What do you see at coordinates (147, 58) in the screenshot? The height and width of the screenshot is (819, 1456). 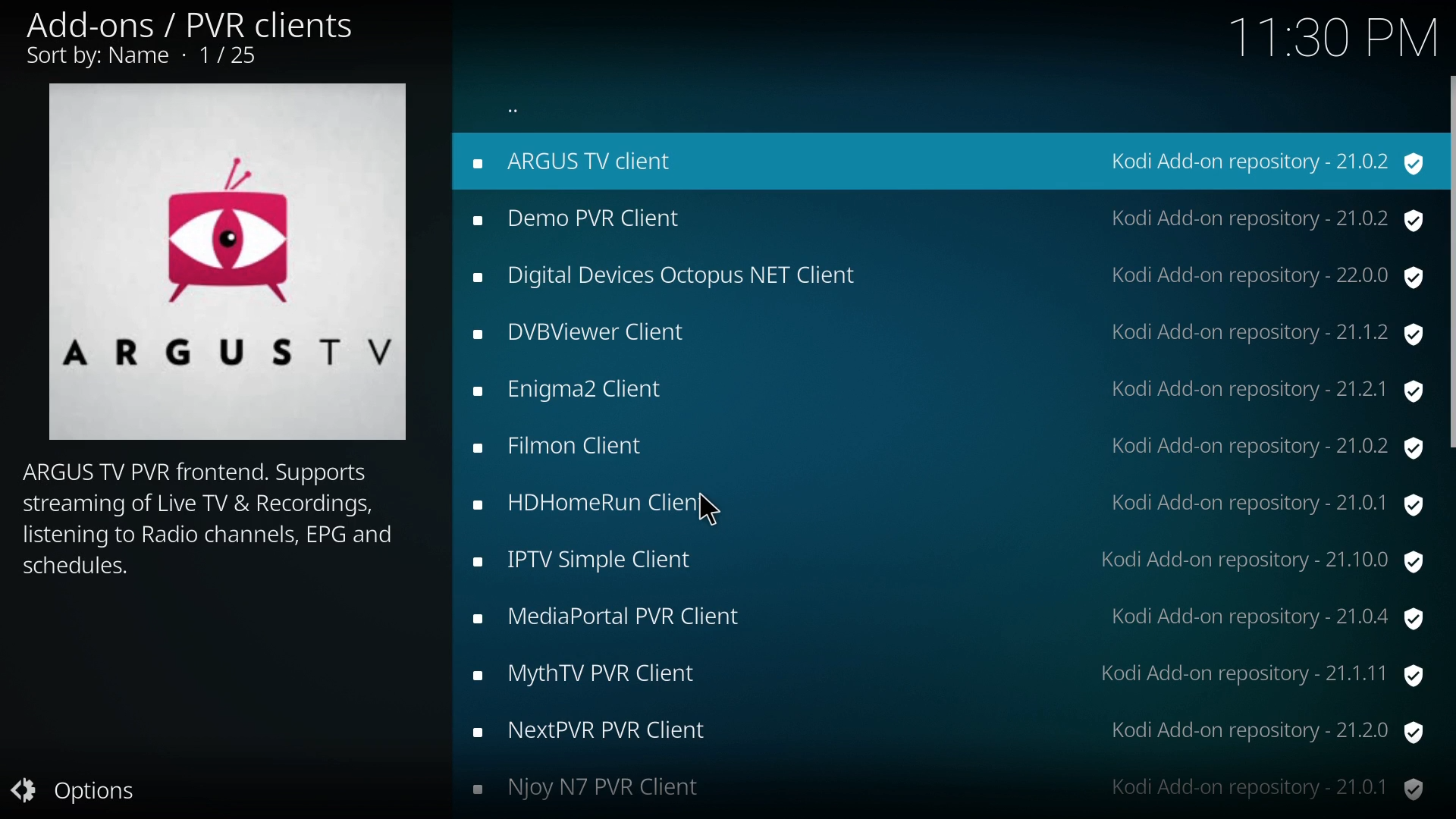 I see `Sort by: Name - 1/25` at bounding box center [147, 58].